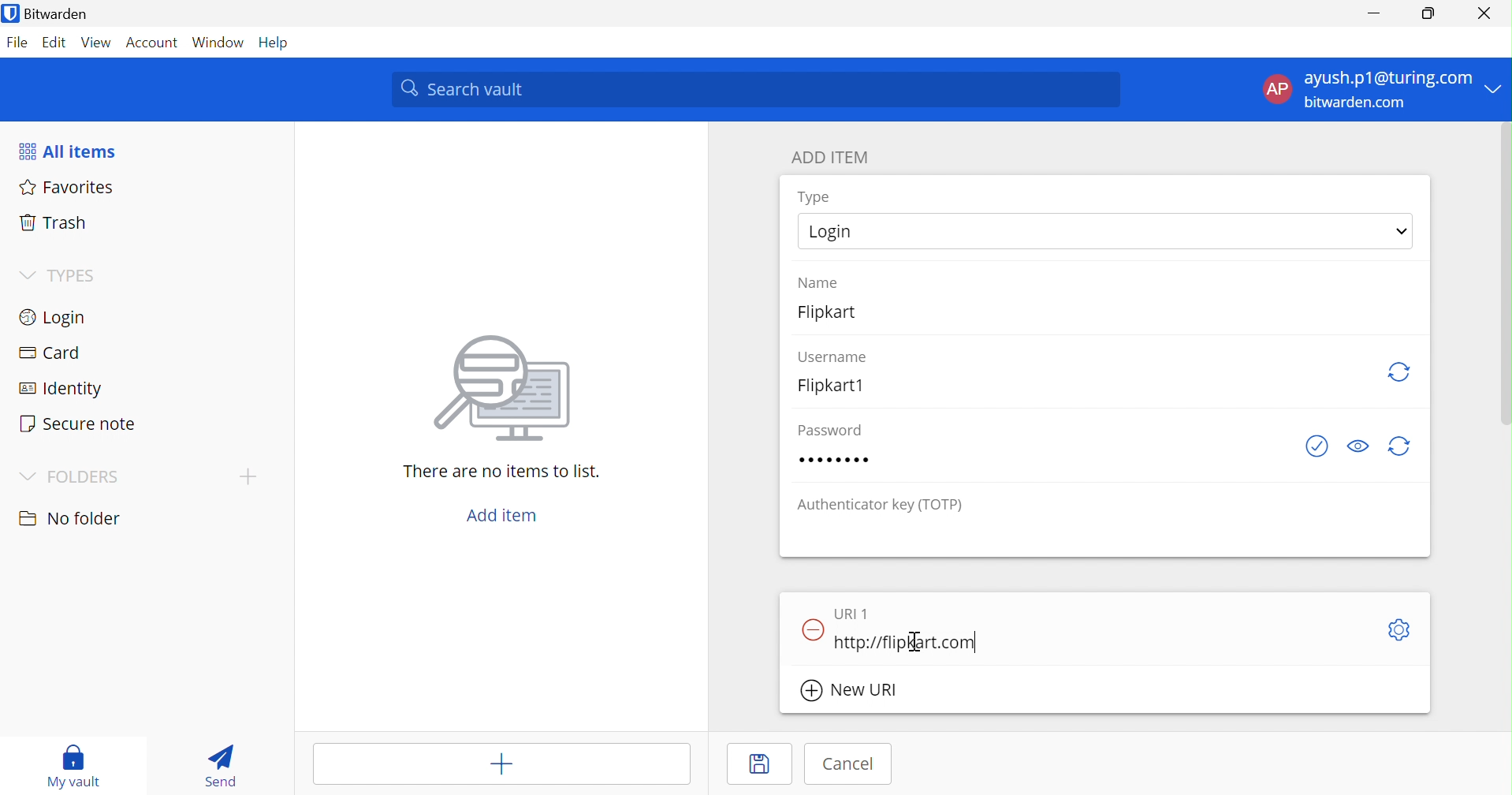 This screenshot has height=795, width=1512. I want to click on Cancel, so click(849, 763).